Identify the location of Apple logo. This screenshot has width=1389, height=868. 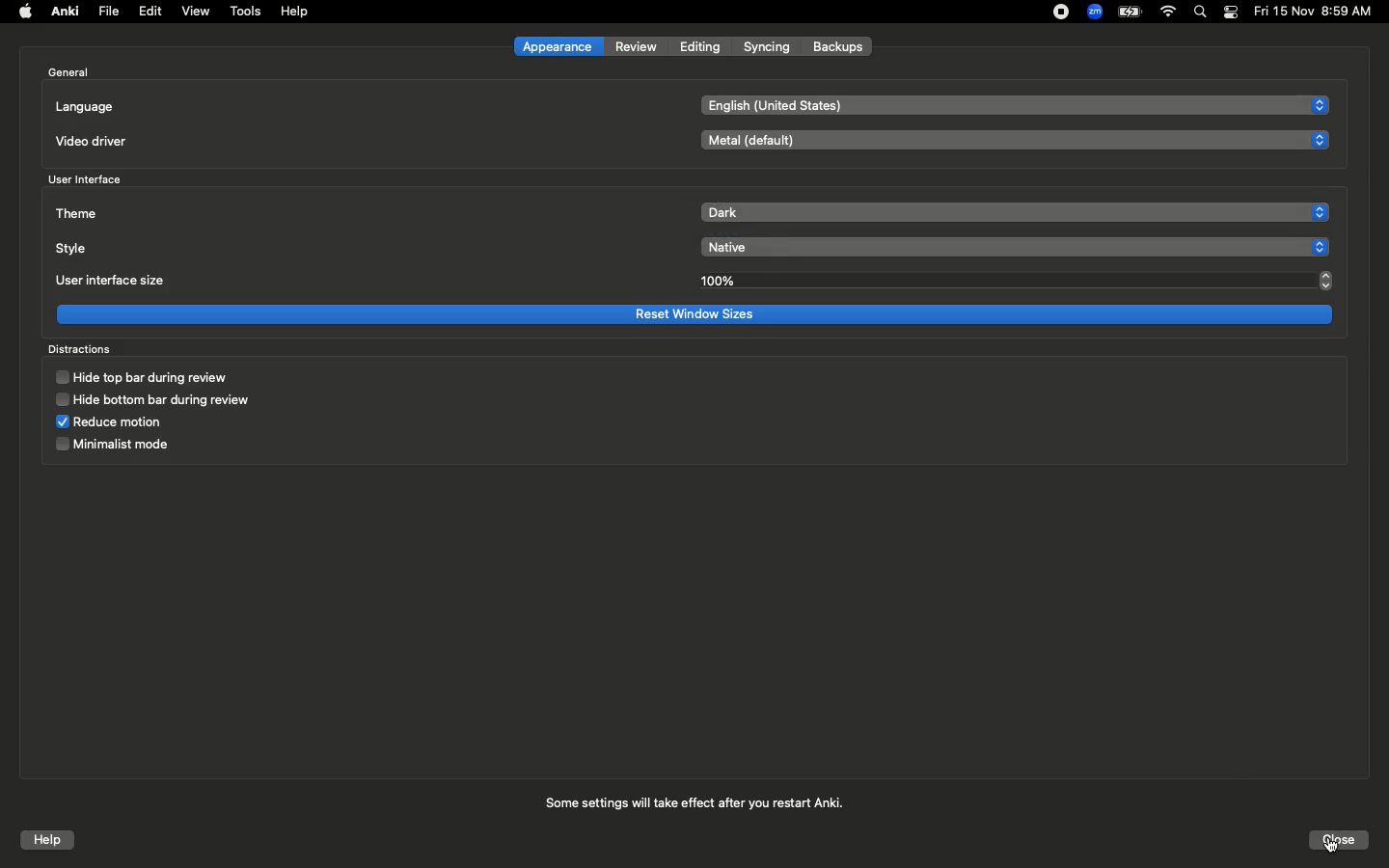
(27, 12).